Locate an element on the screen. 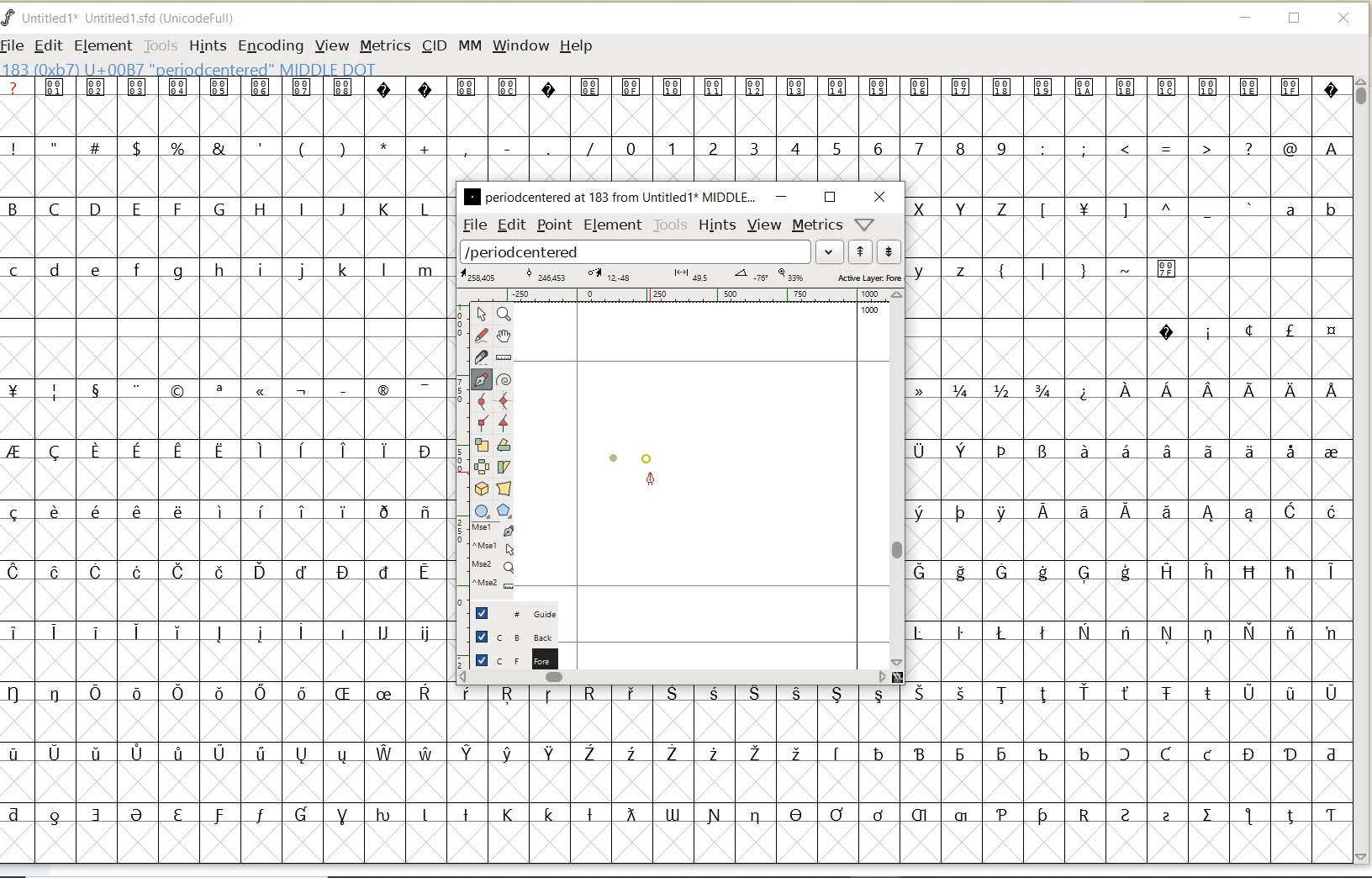 The height and width of the screenshot is (878, 1372). Rotate the selection is located at coordinates (504, 445).